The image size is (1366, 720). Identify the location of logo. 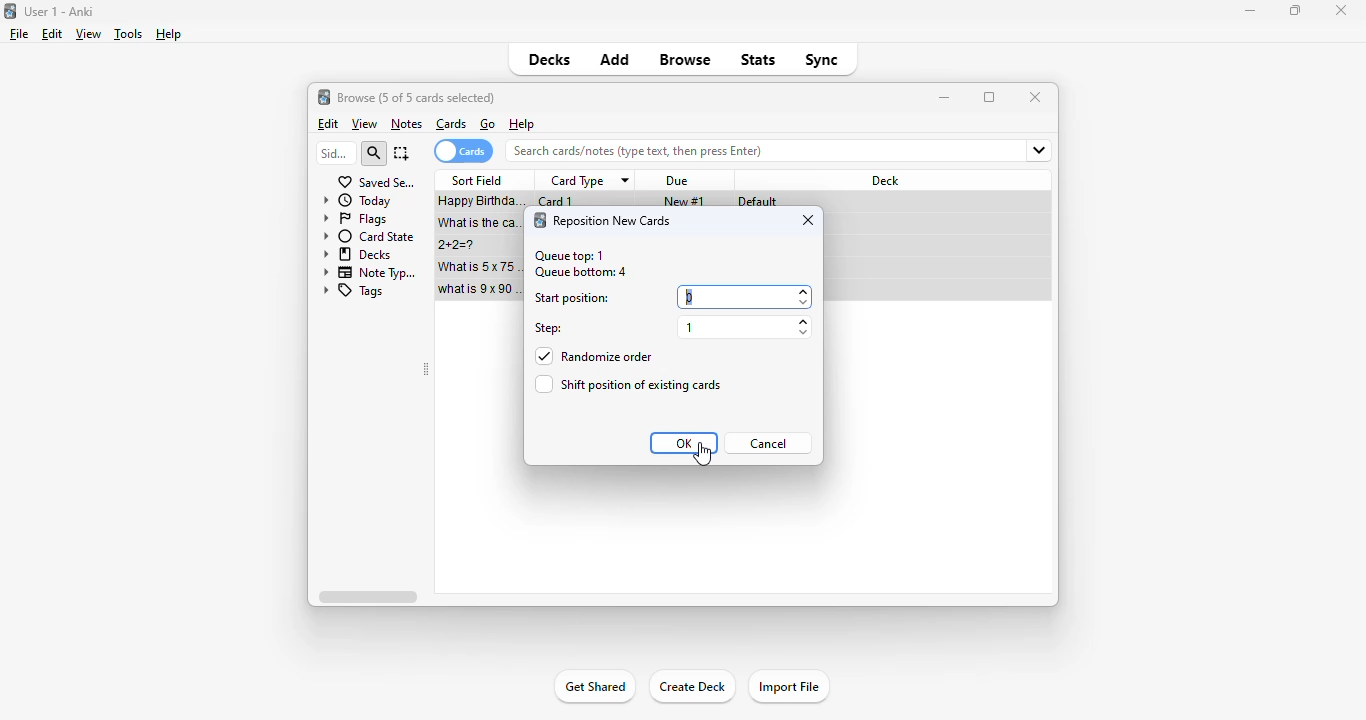
(9, 11).